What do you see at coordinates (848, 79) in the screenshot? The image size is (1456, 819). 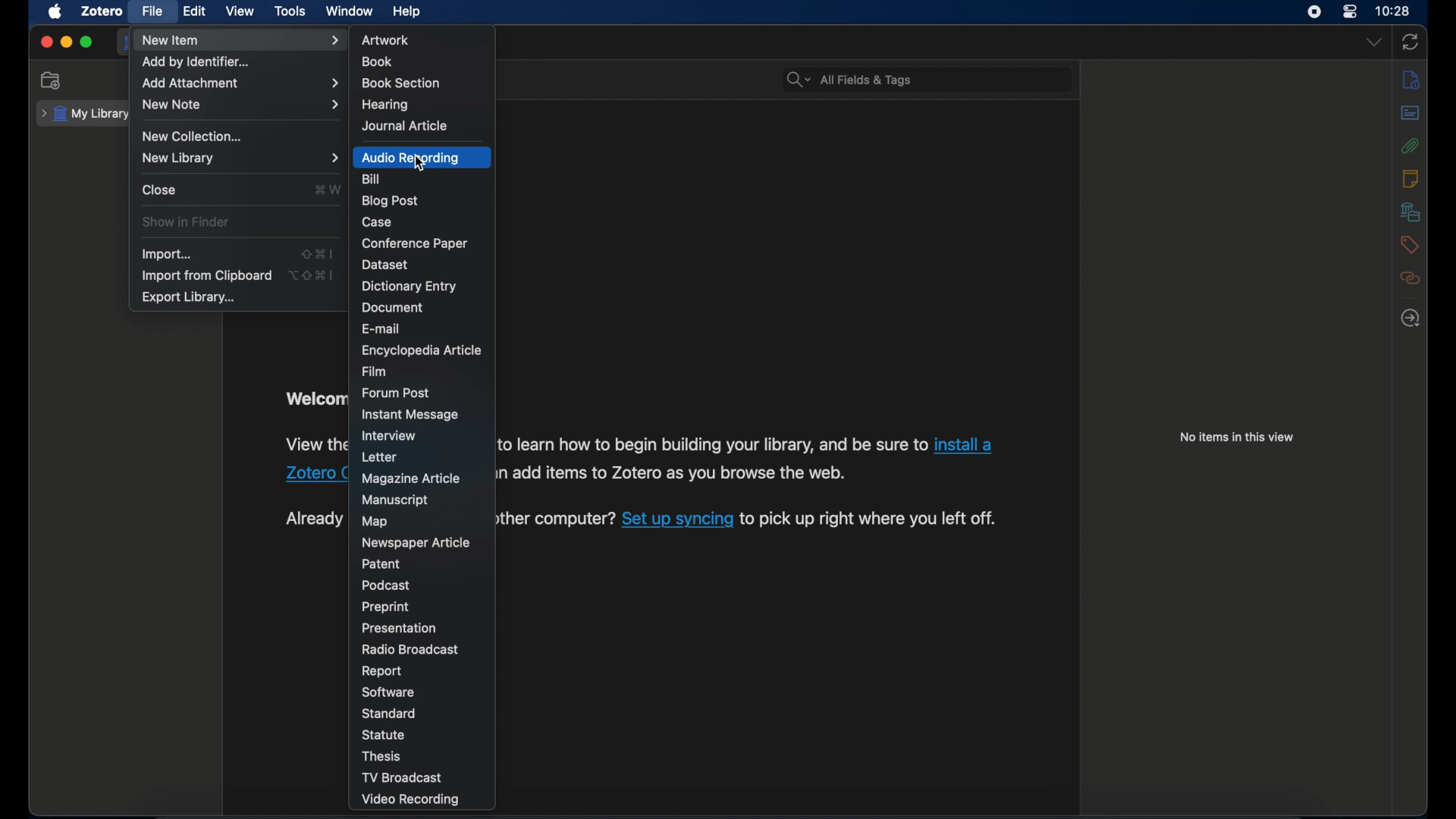 I see `all fields & tags` at bounding box center [848, 79].